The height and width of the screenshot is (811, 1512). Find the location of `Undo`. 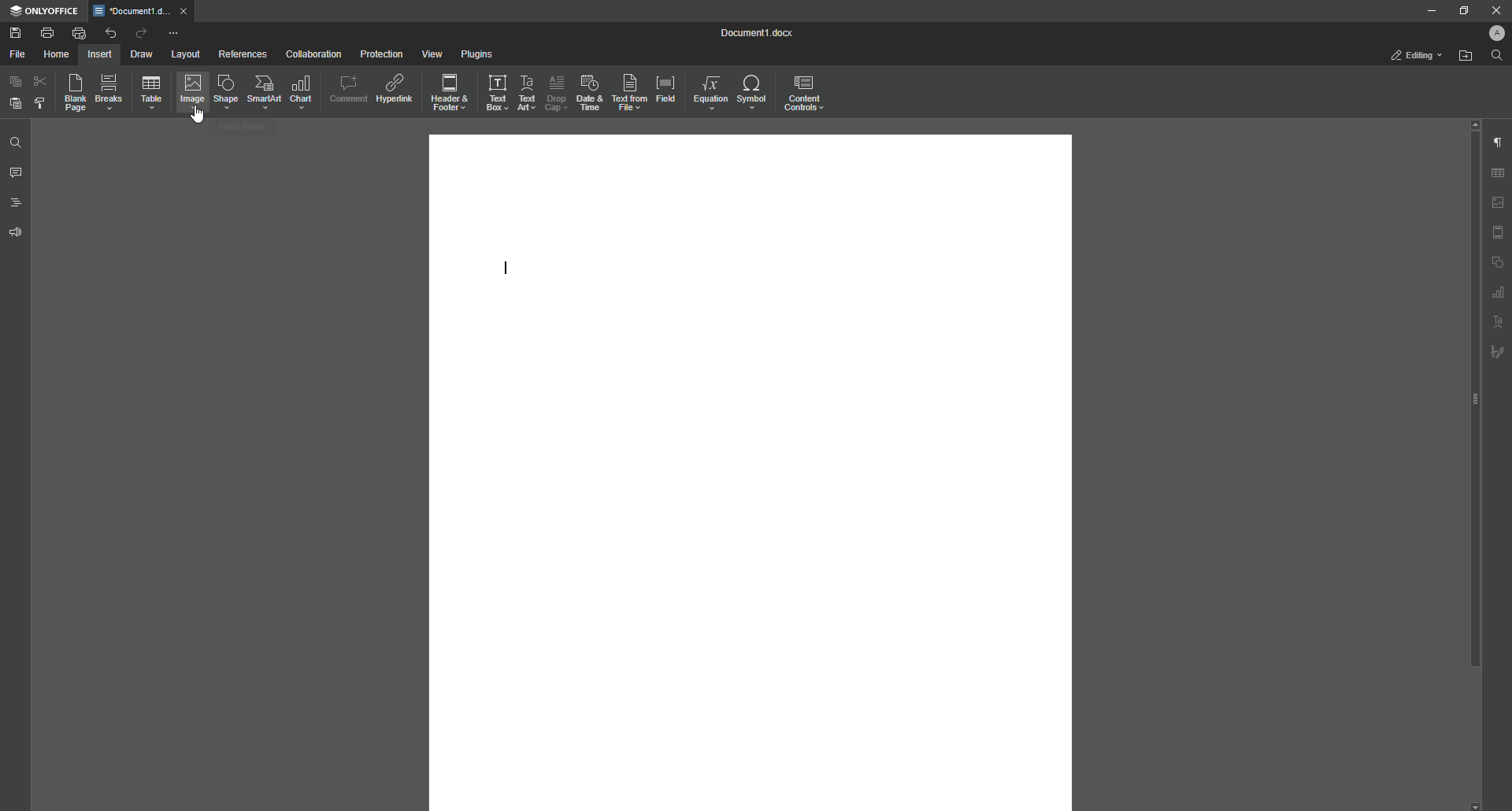

Undo is located at coordinates (111, 31).